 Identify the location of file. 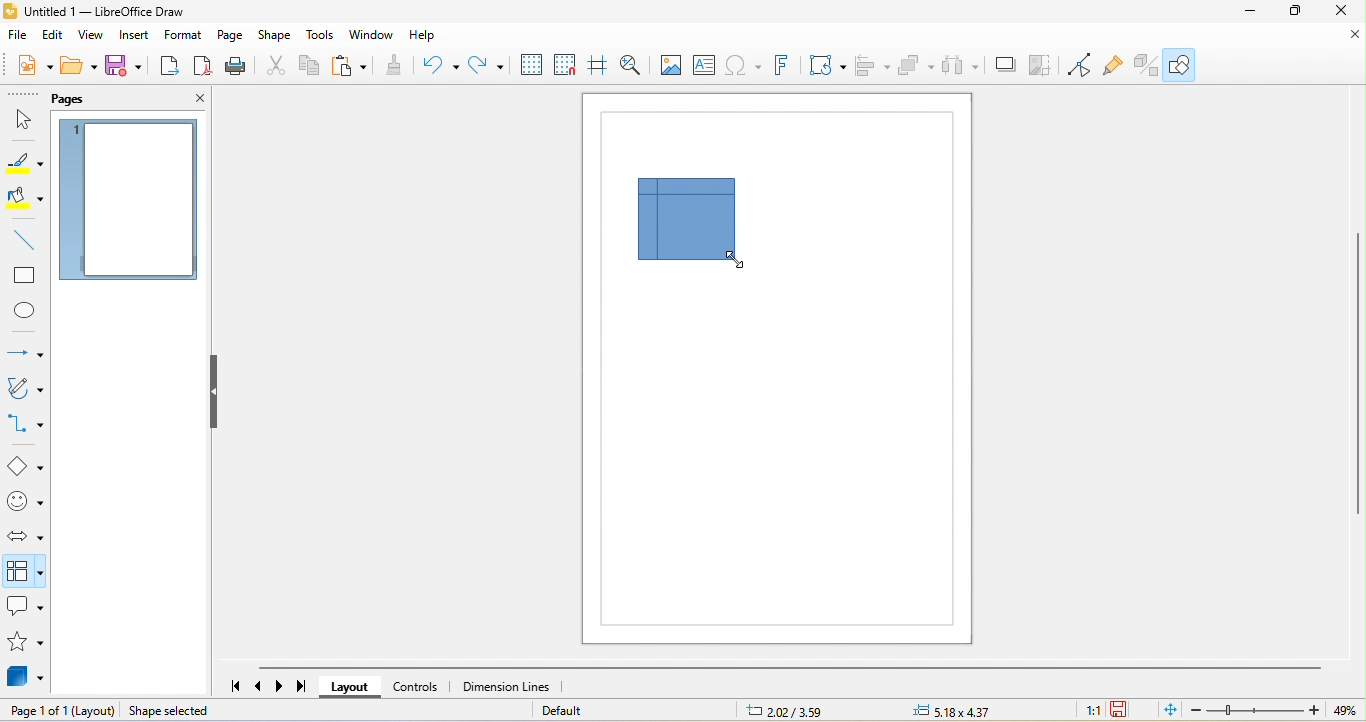
(20, 37).